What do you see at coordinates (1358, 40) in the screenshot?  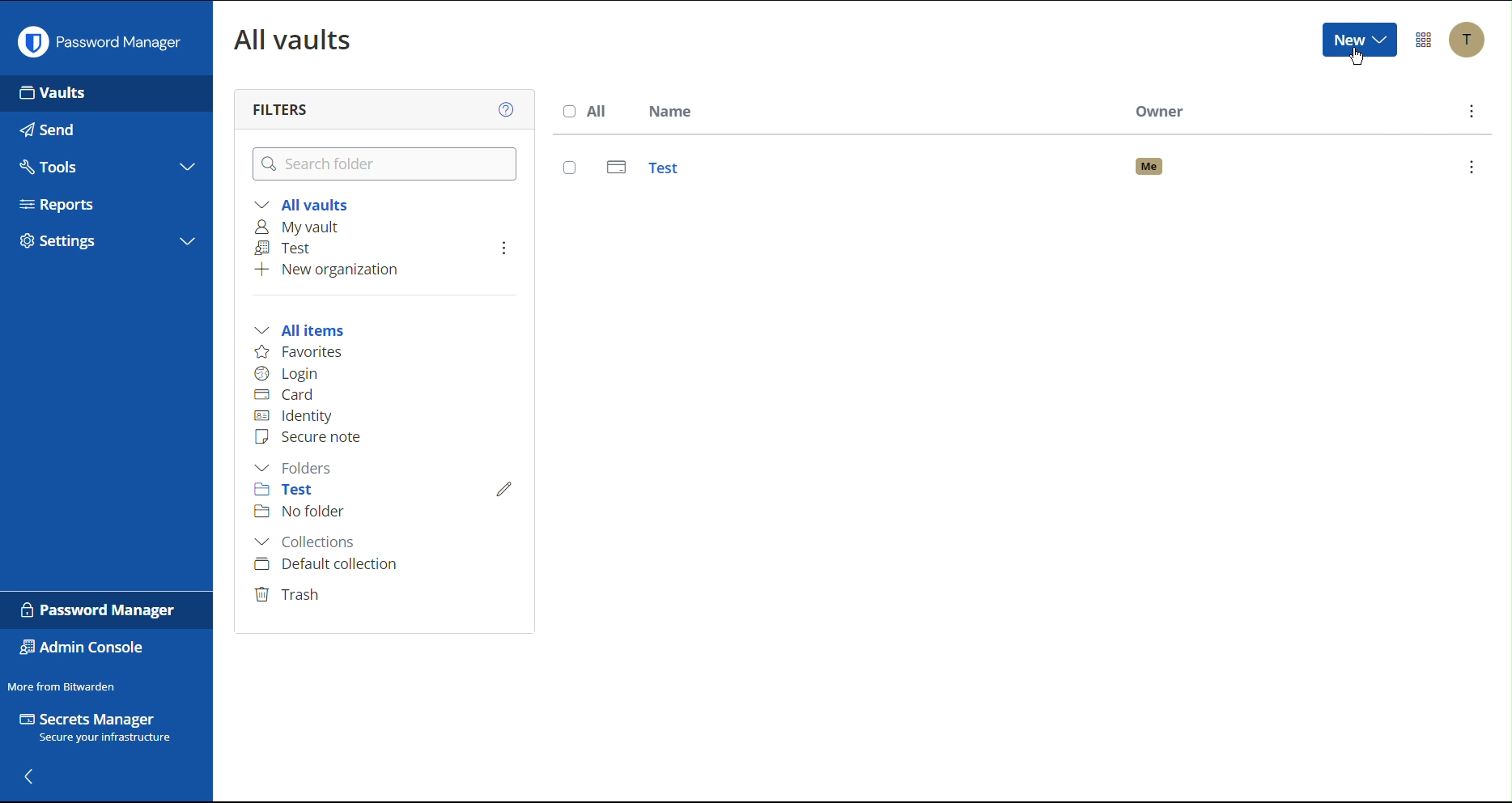 I see `New` at bounding box center [1358, 40].